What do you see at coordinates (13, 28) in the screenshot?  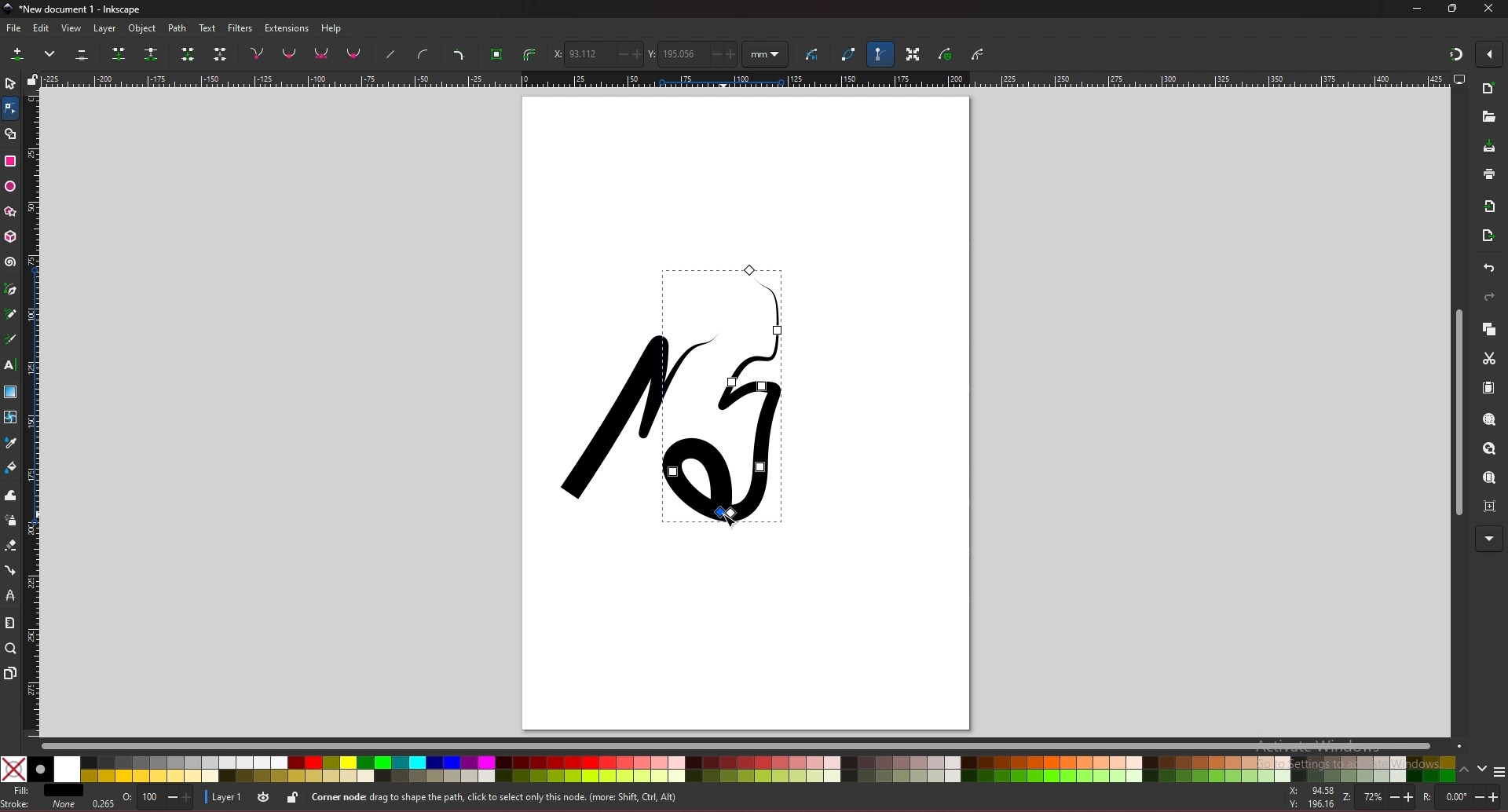 I see `file` at bounding box center [13, 28].